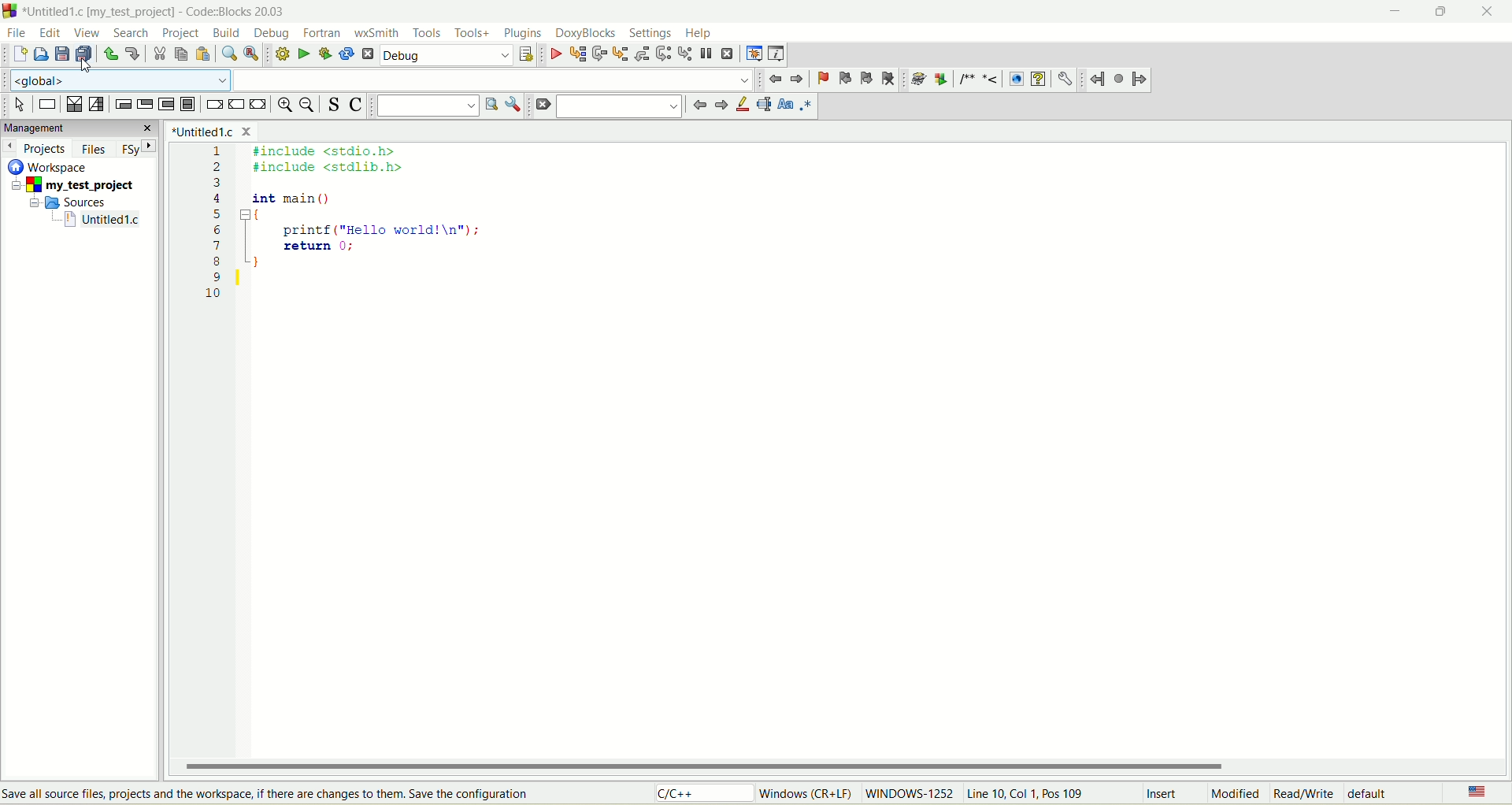 This screenshot has height=805, width=1512. Describe the element at coordinates (1230, 793) in the screenshot. I see `modified` at that location.